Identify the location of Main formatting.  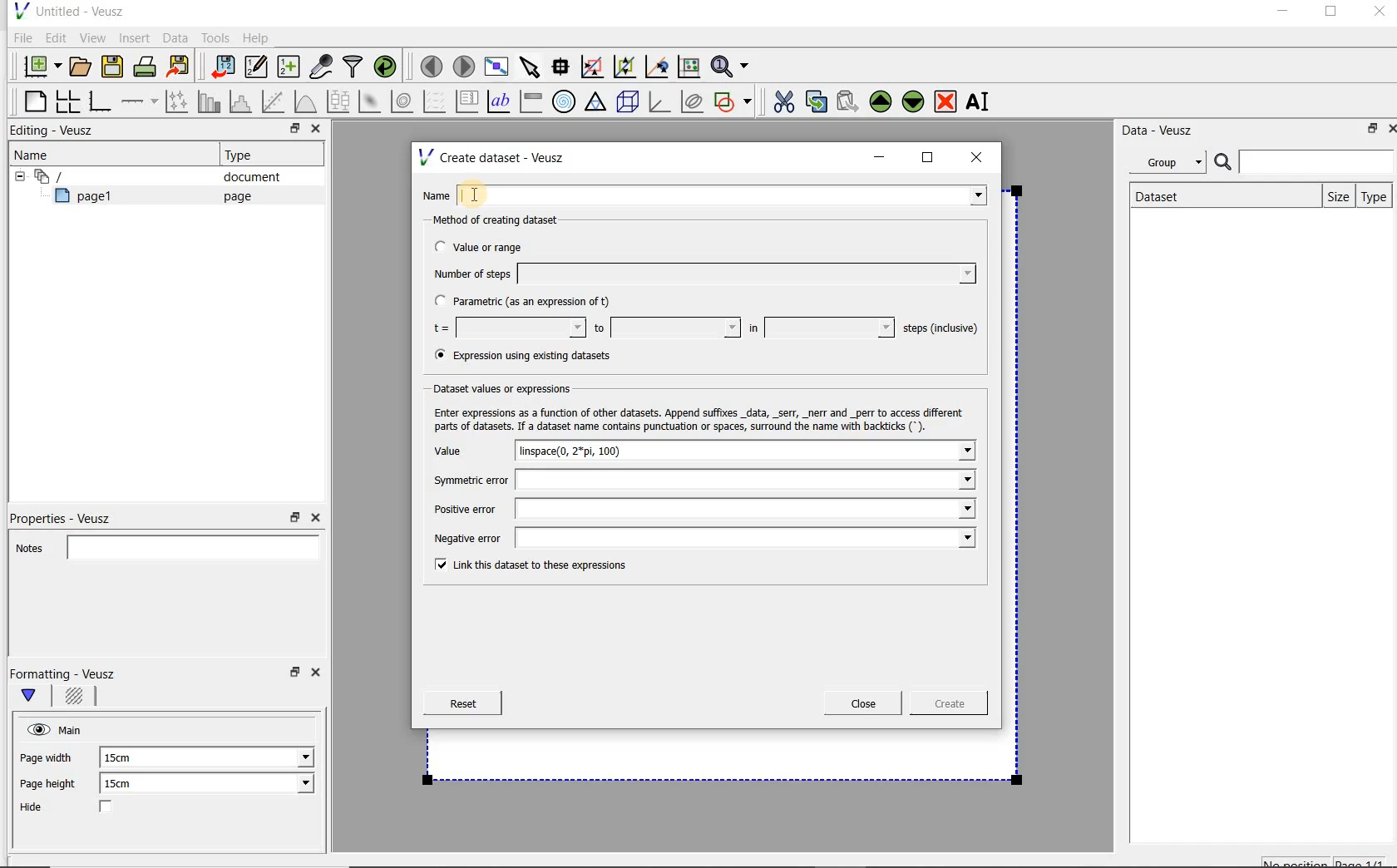
(36, 697).